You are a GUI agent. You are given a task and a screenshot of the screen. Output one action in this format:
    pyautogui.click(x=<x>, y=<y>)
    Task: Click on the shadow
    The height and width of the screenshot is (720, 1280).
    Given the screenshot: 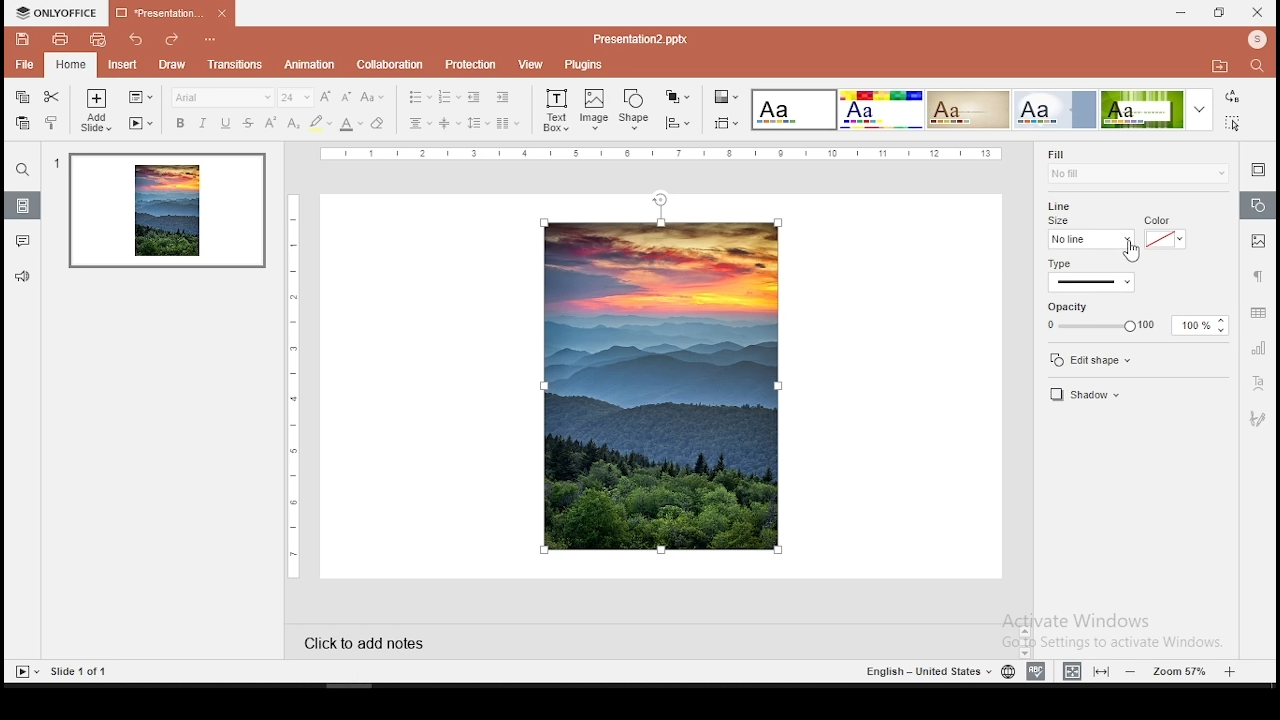 What is the action you would take?
    pyautogui.click(x=1110, y=394)
    